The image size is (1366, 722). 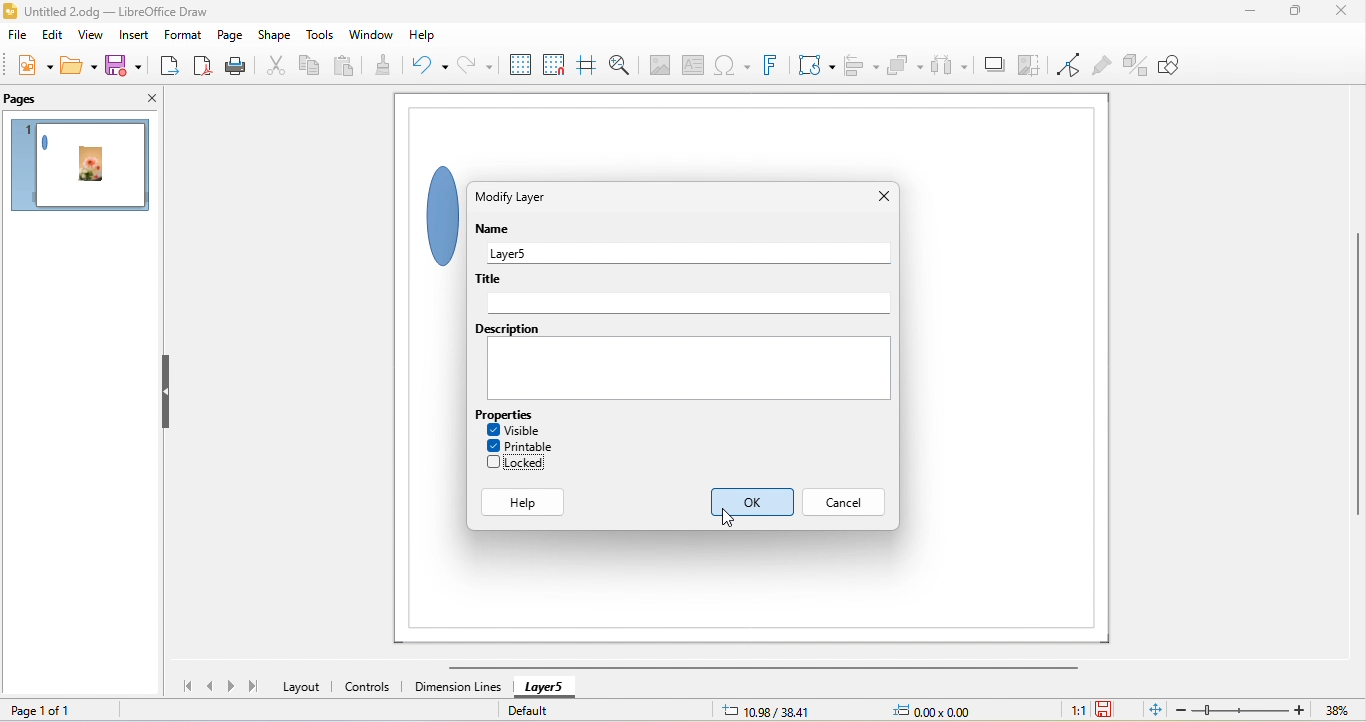 What do you see at coordinates (556, 64) in the screenshot?
I see `snap to grid` at bounding box center [556, 64].